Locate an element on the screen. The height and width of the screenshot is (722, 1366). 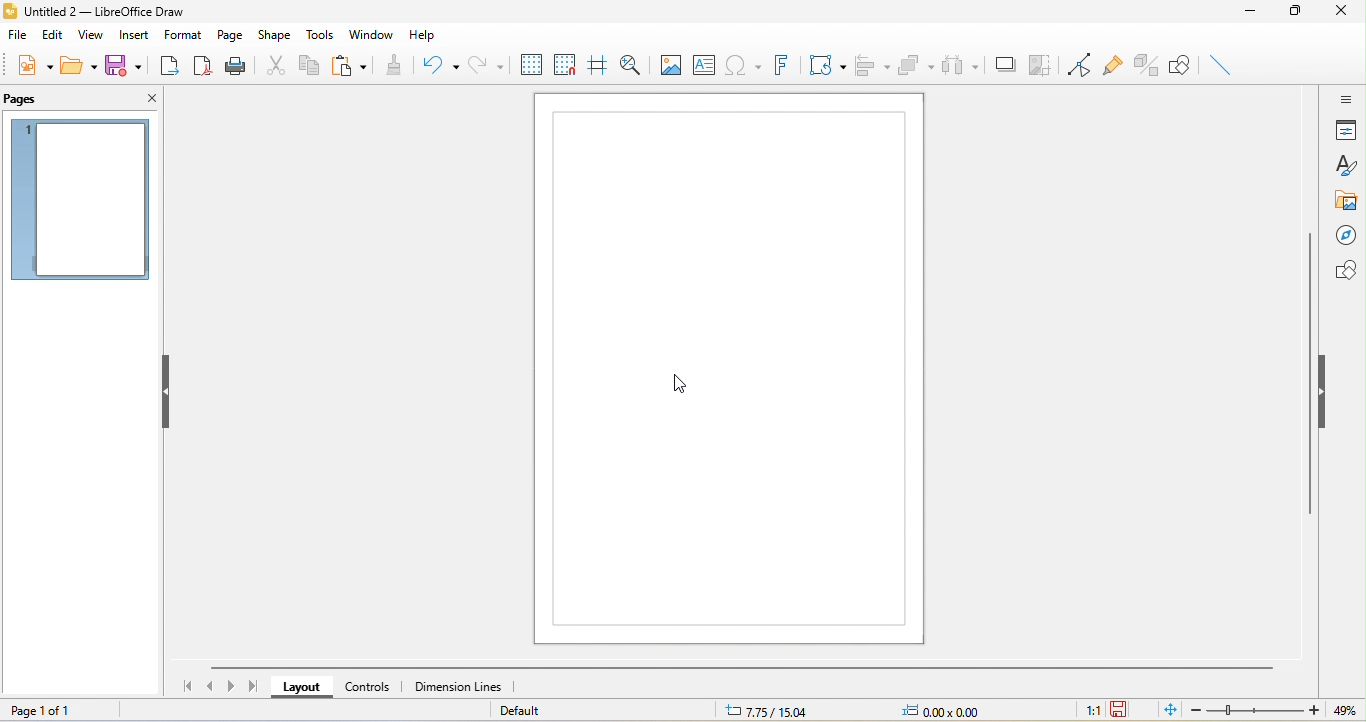
snap to grid is located at coordinates (565, 68).